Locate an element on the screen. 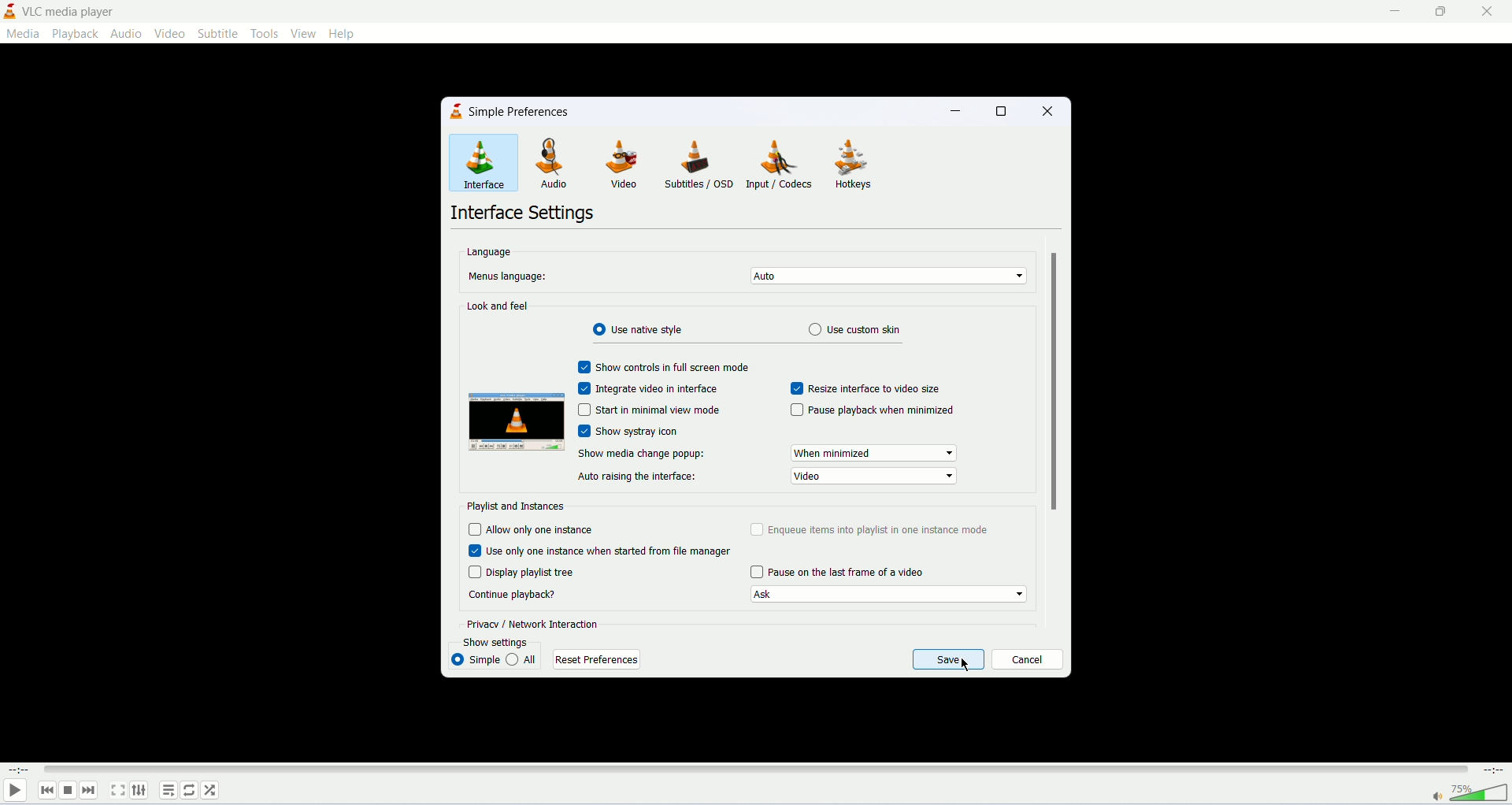 Image resolution: width=1512 pixels, height=805 pixels. all is located at coordinates (524, 659).